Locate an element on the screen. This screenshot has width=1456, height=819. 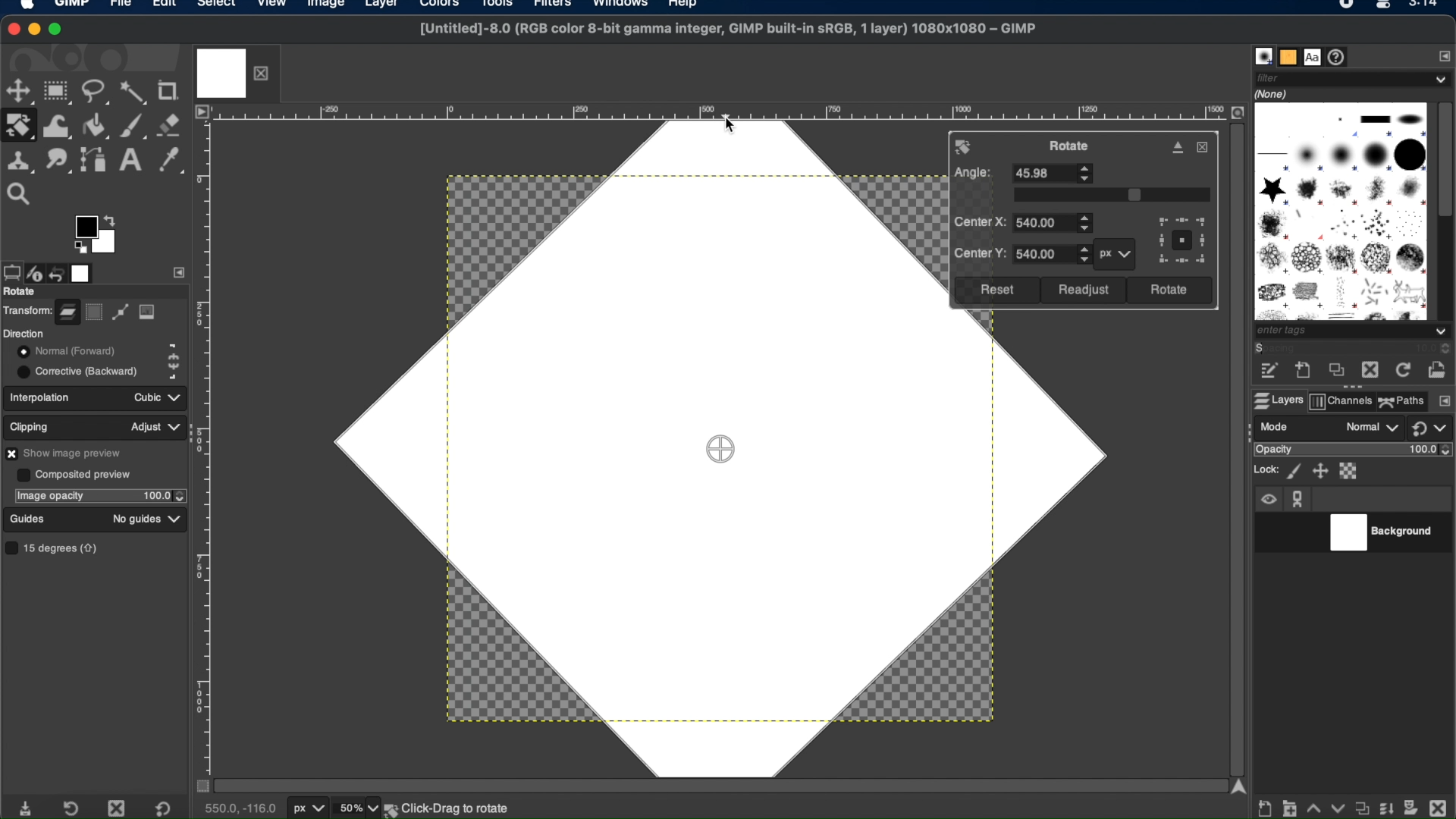
show image preview is located at coordinates (67, 453).